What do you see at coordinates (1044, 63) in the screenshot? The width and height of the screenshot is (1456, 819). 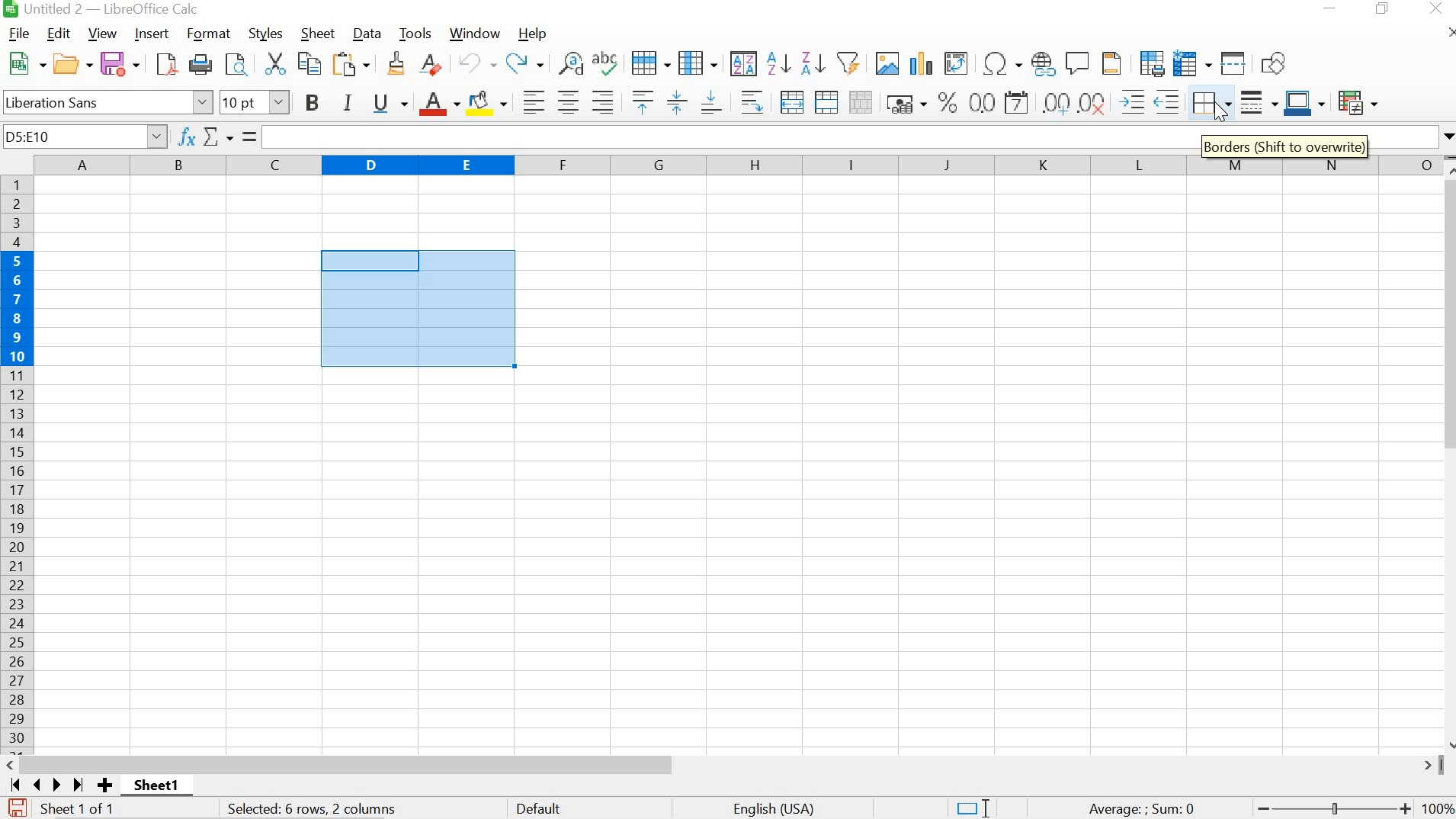 I see `insert hyperlink` at bounding box center [1044, 63].